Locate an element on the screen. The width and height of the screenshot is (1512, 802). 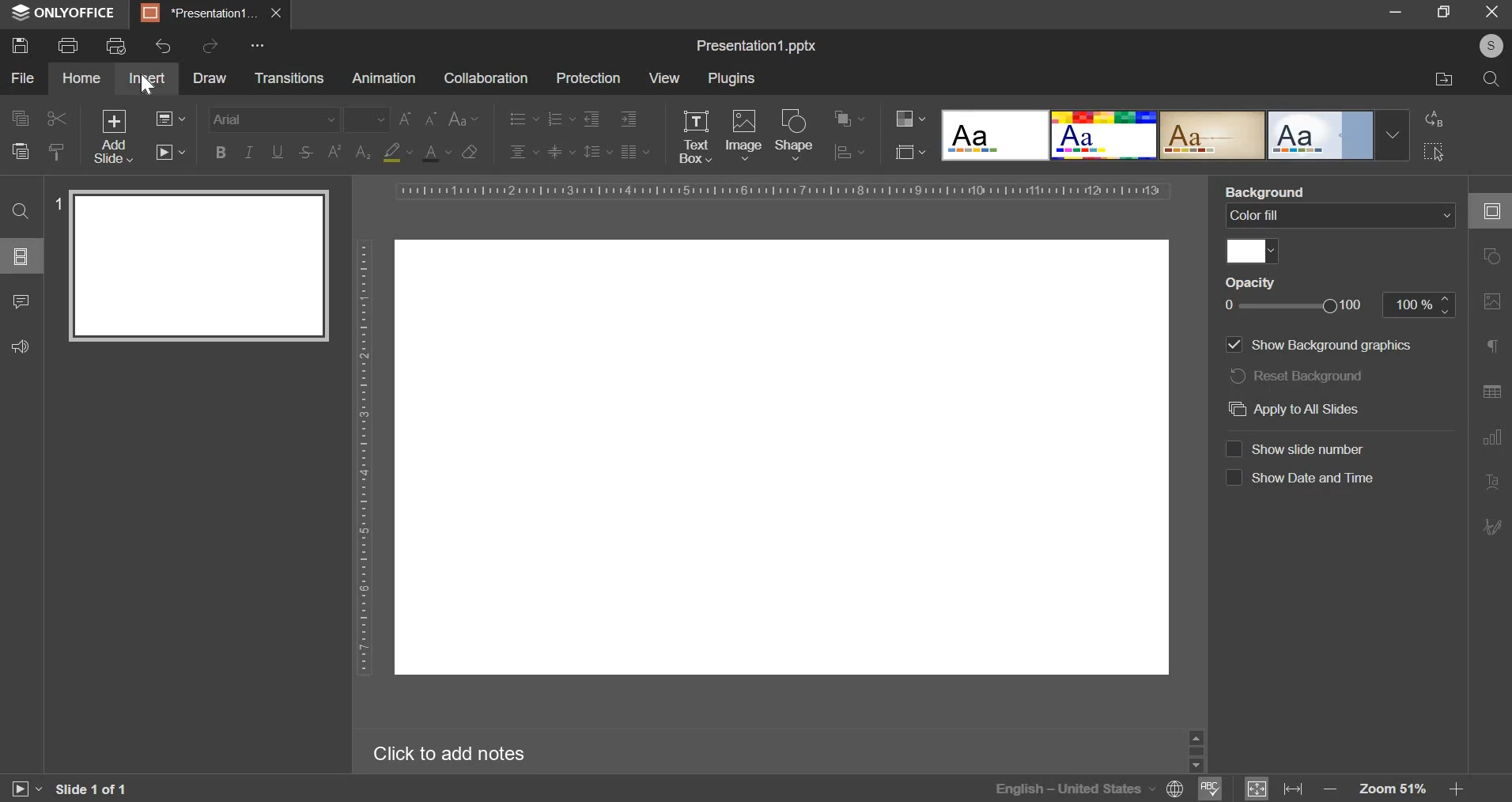
feedback is located at coordinates (21, 345).